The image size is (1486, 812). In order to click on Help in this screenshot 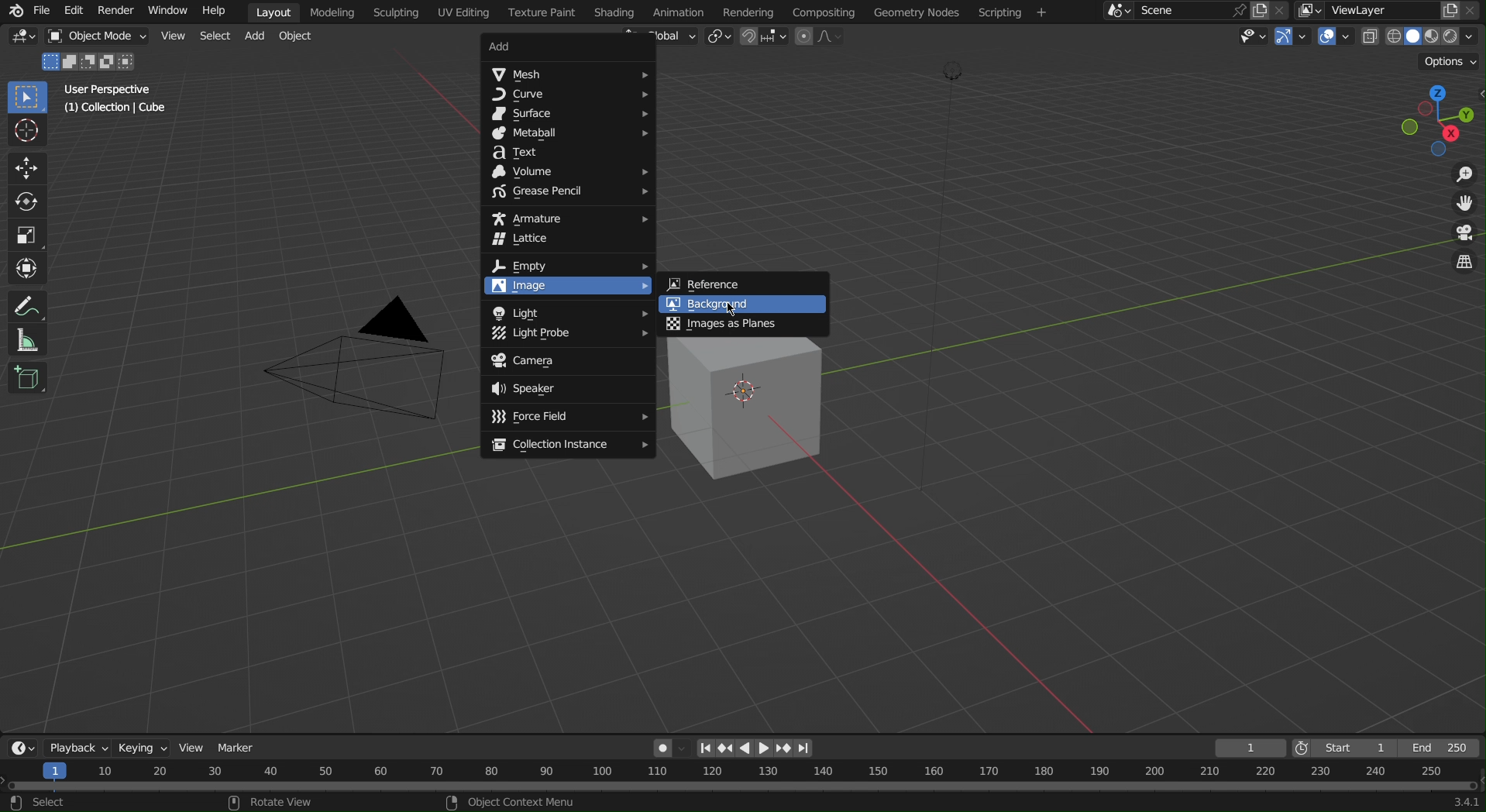, I will do `click(213, 12)`.